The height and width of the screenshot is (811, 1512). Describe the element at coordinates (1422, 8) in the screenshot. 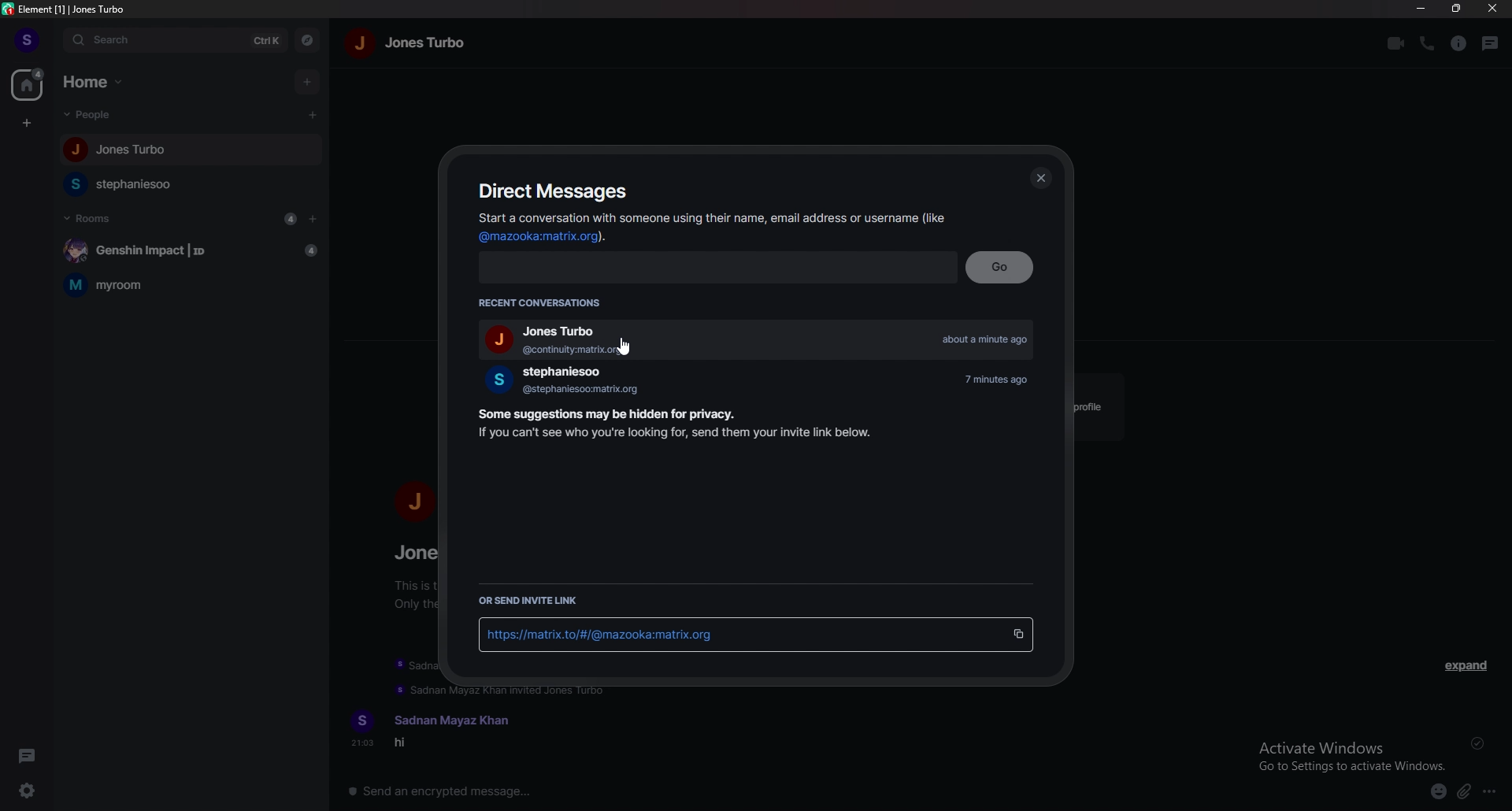

I see `minimize` at that location.